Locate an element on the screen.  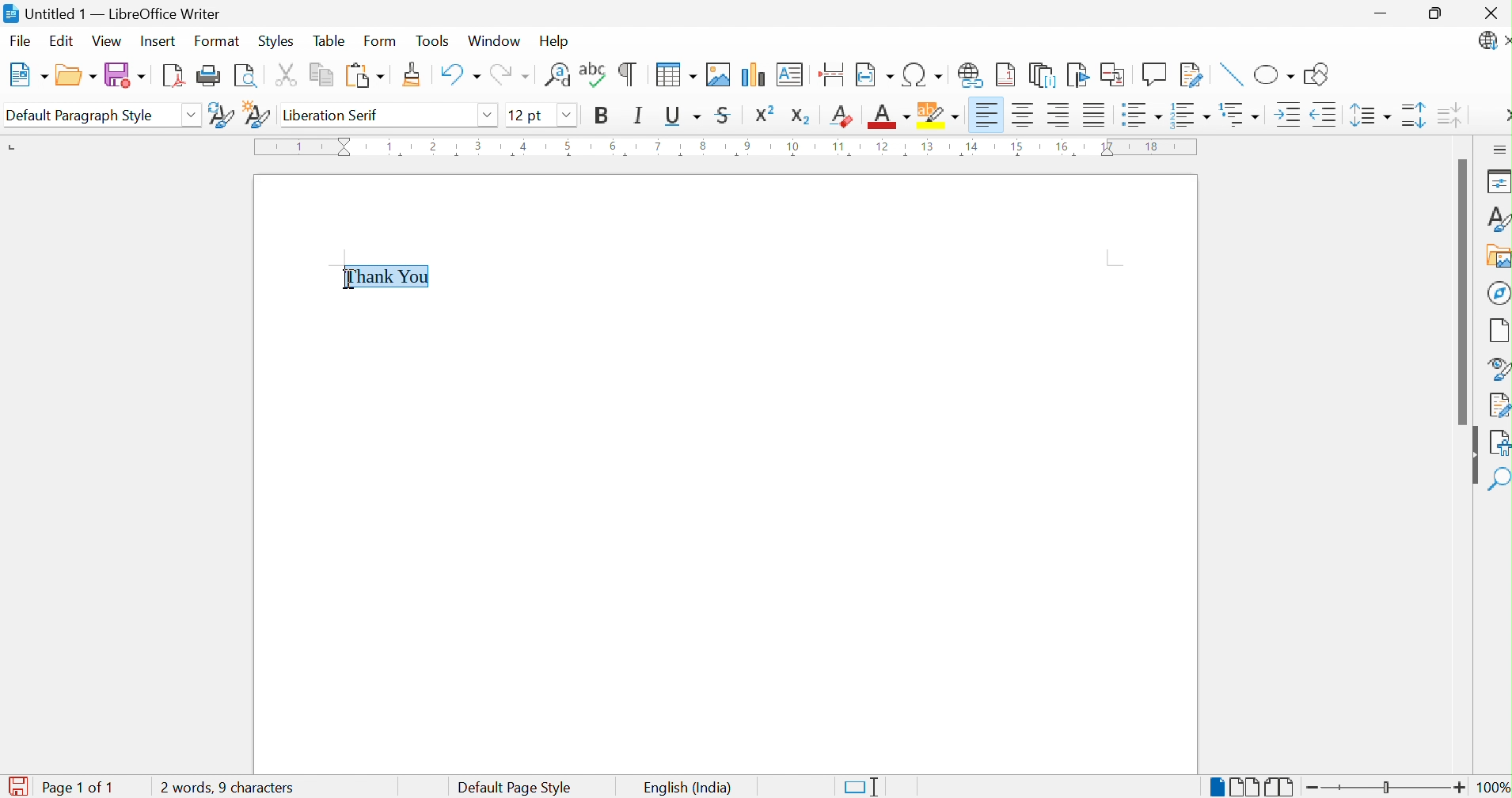
Save is located at coordinates (124, 75).